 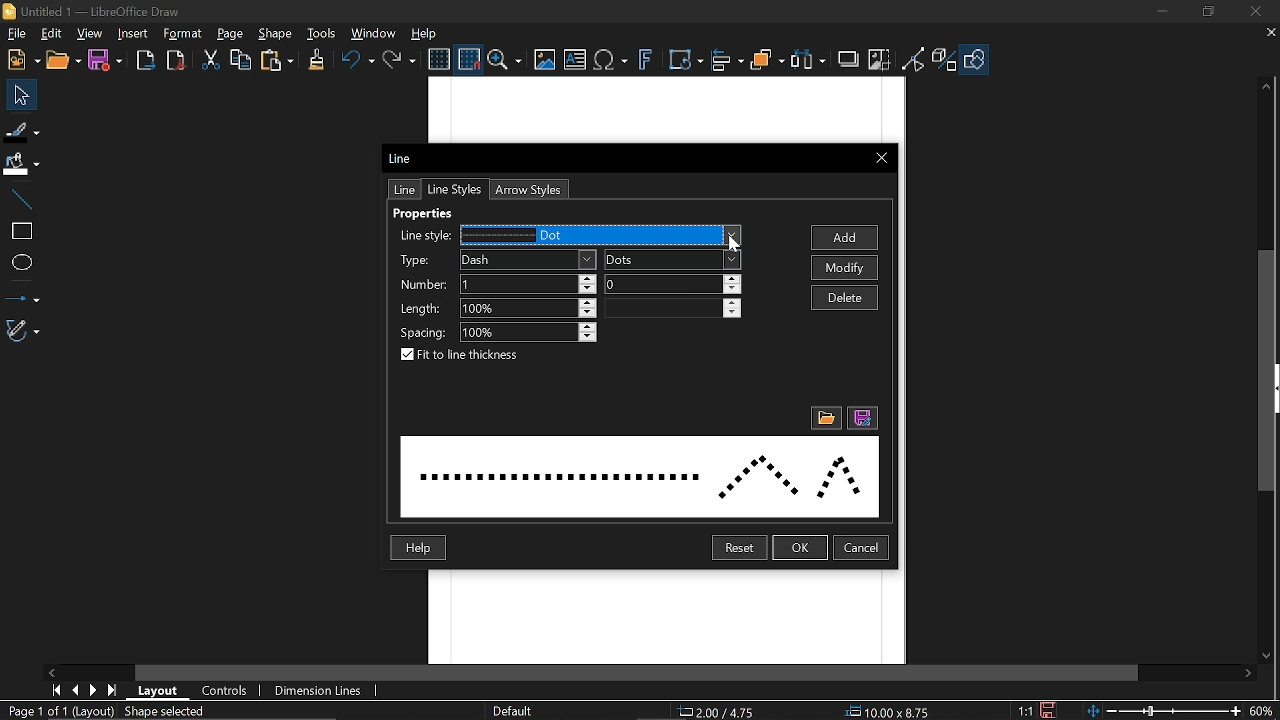 What do you see at coordinates (974, 61) in the screenshot?
I see `Shapes` at bounding box center [974, 61].